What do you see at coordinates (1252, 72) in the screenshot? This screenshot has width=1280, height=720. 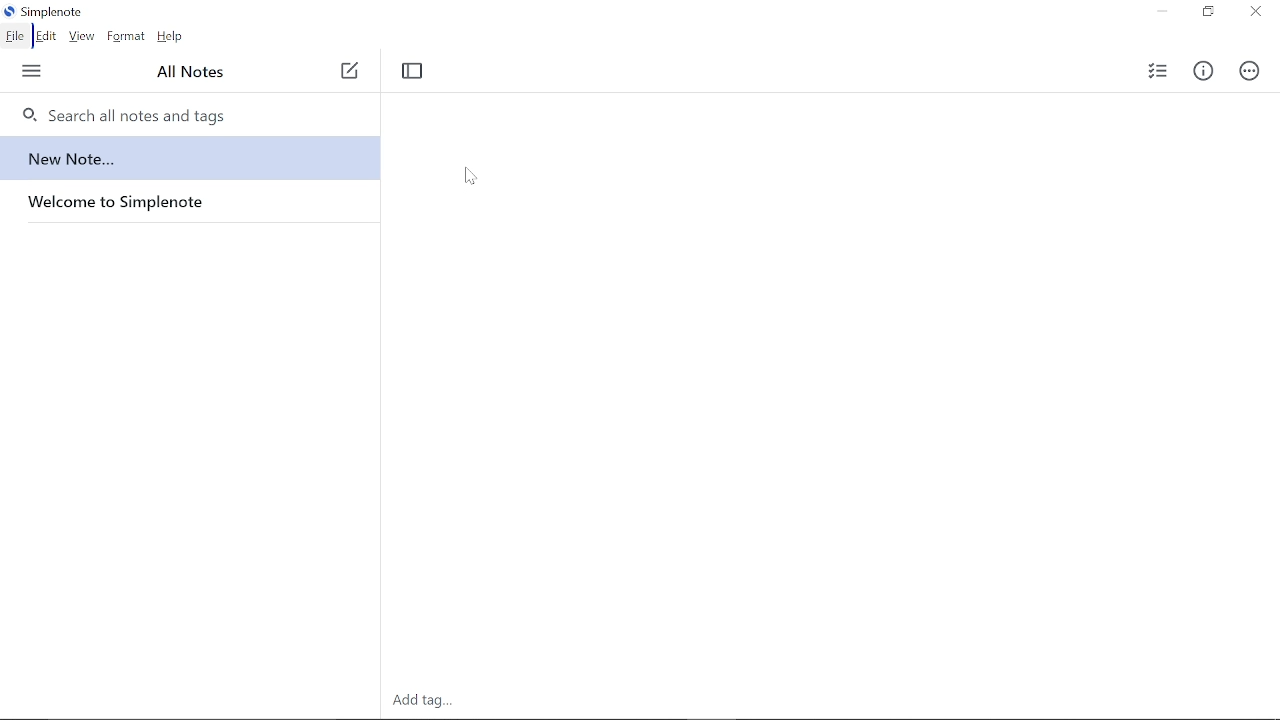 I see `Actions` at bounding box center [1252, 72].